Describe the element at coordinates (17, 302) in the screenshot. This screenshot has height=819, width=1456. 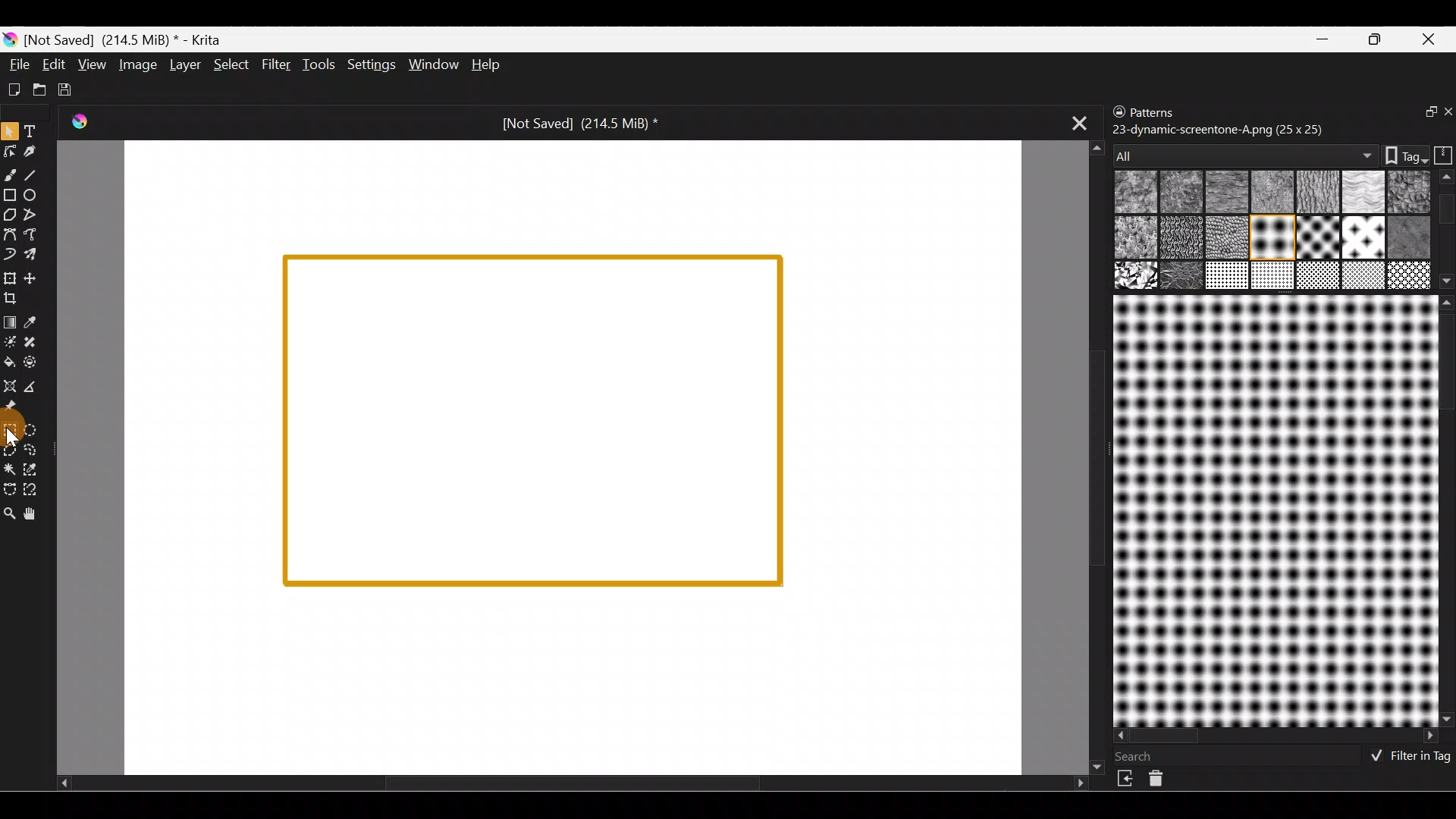
I see `Crop an image` at that location.